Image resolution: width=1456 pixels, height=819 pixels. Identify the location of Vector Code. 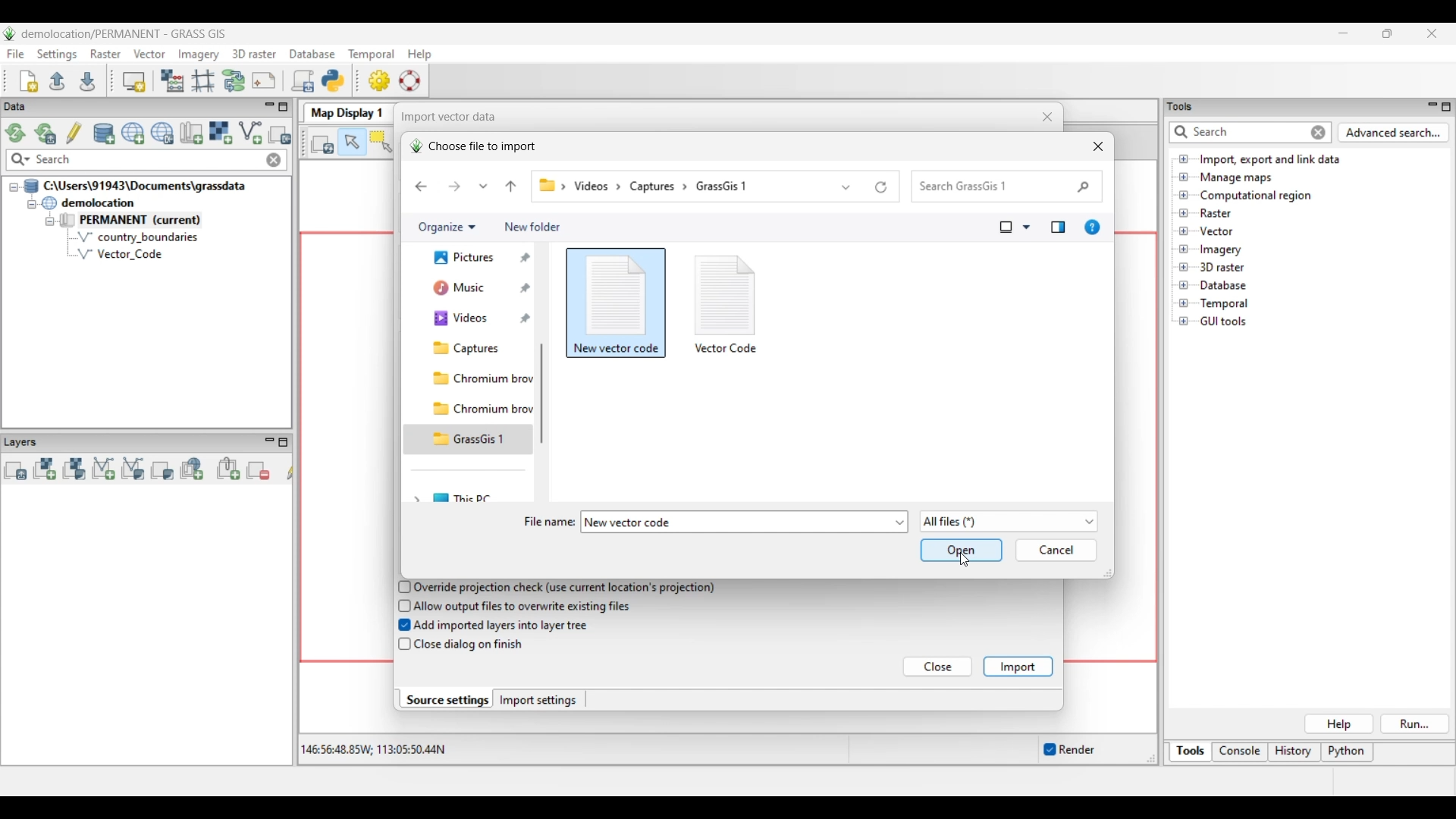
(128, 253).